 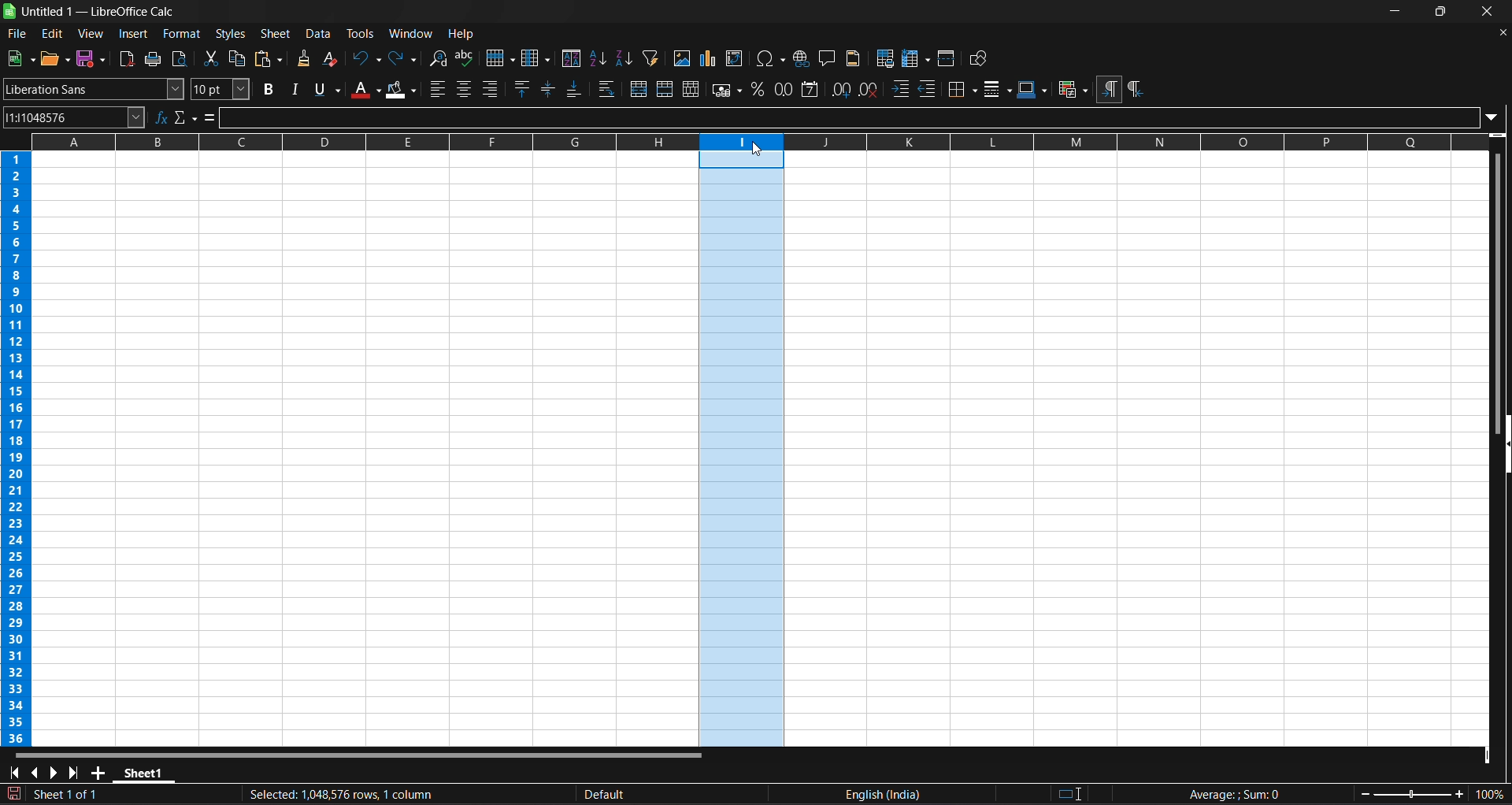 I want to click on file, so click(x=18, y=35).